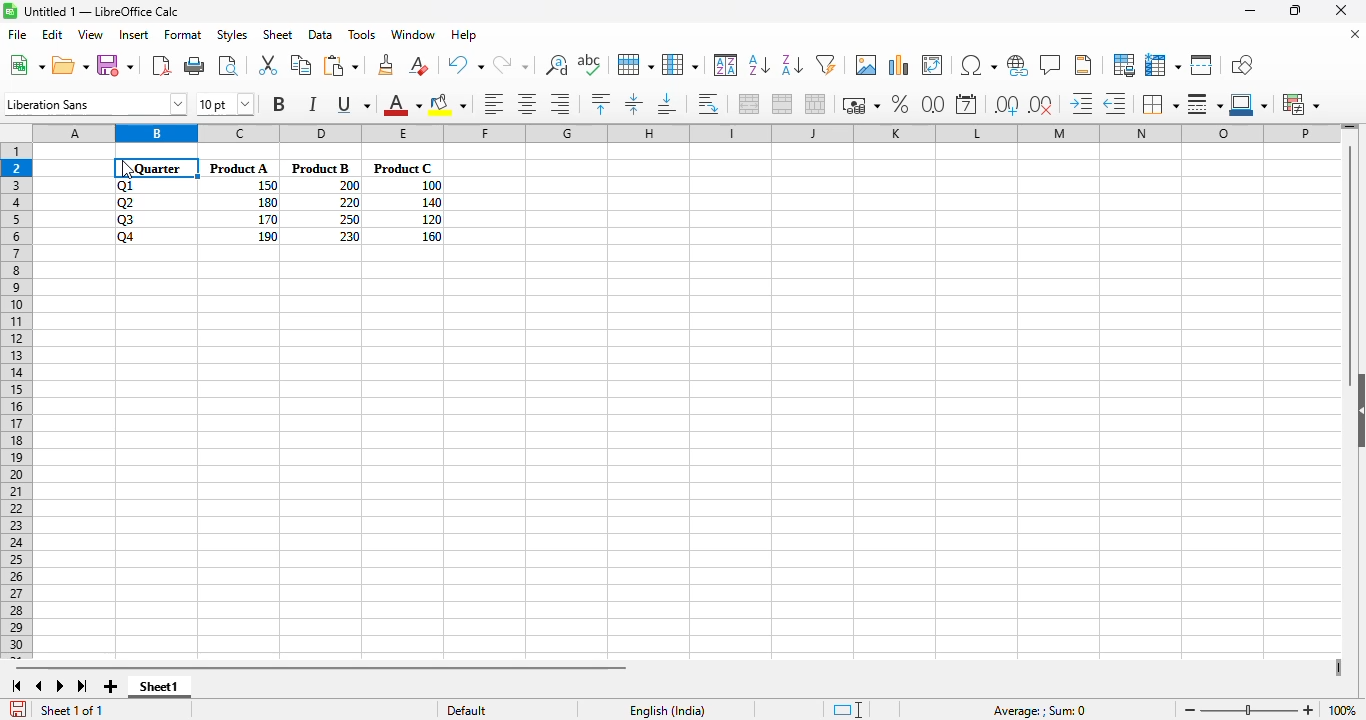 This screenshot has height=720, width=1366. I want to click on autofilter, so click(826, 64).